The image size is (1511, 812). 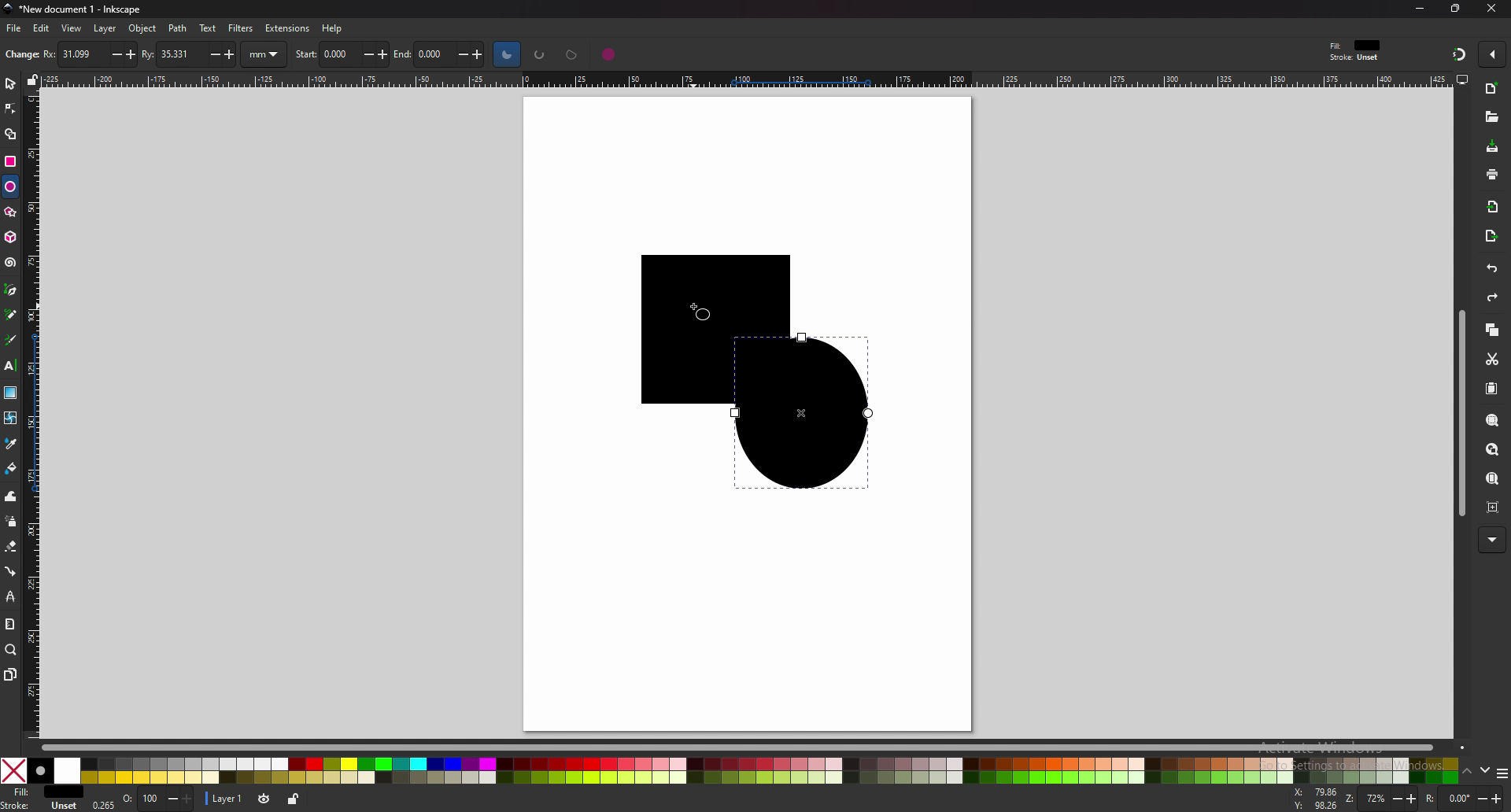 What do you see at coordinates (9, 674) in the screenshot?
I see `pages` at bounding box center [9, 674].